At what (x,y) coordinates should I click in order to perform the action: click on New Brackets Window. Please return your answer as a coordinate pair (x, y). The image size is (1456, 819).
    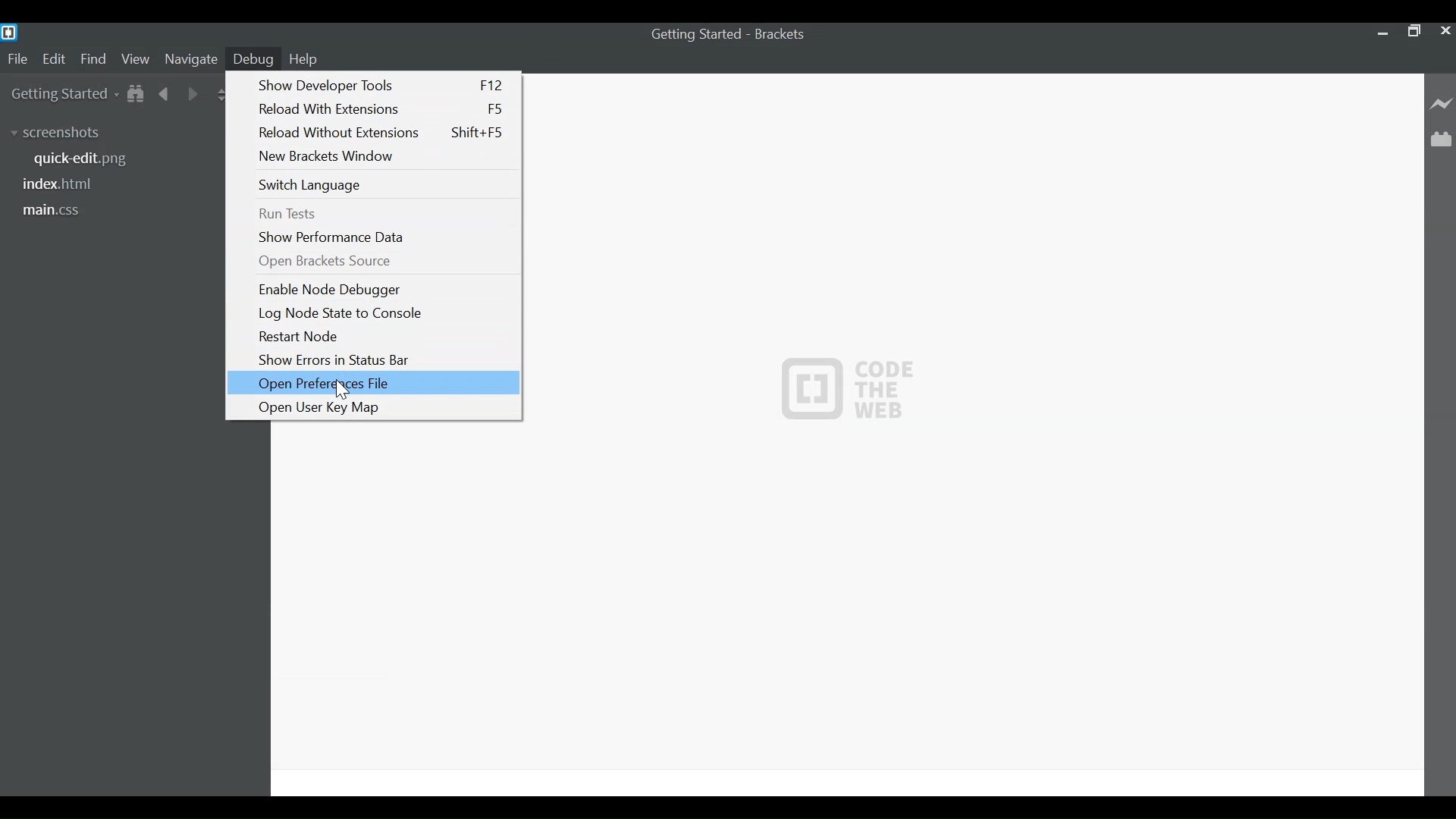
    Looking at the image, I should click on (384, 156).